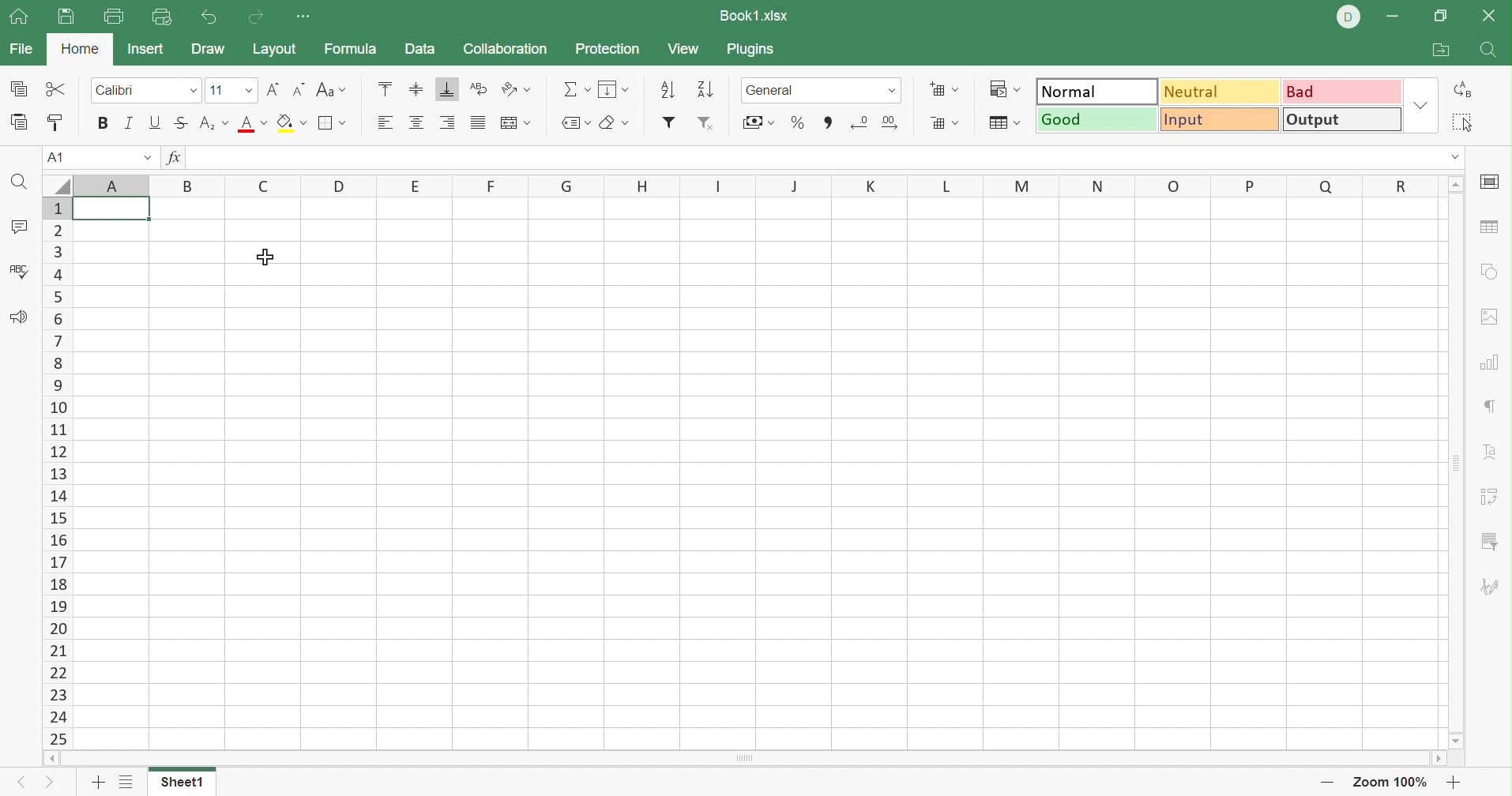 The image size is (1512, 796). I want to click on Spell checking, so click(19, 273).